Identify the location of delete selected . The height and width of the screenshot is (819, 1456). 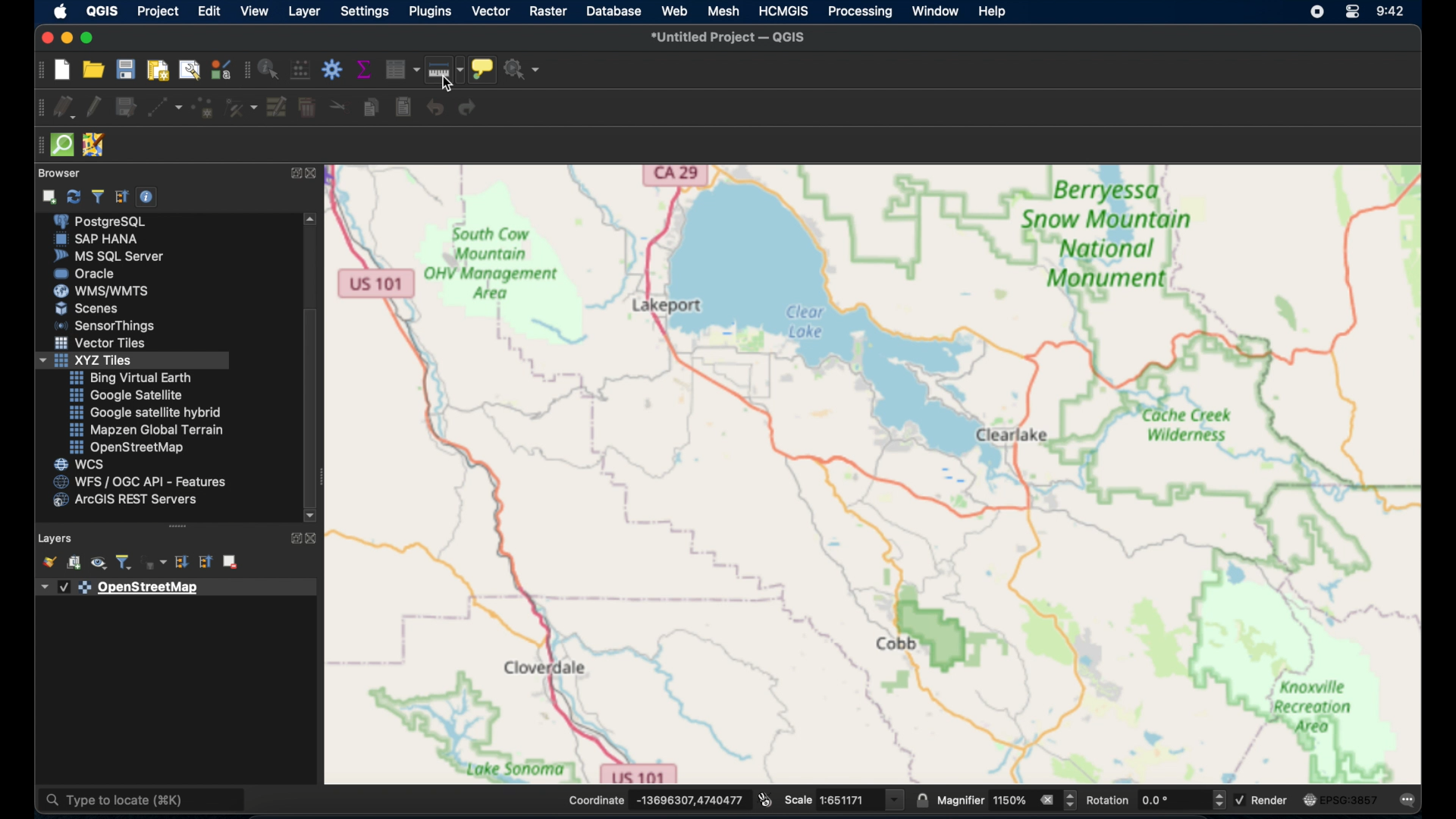
(306, 108).